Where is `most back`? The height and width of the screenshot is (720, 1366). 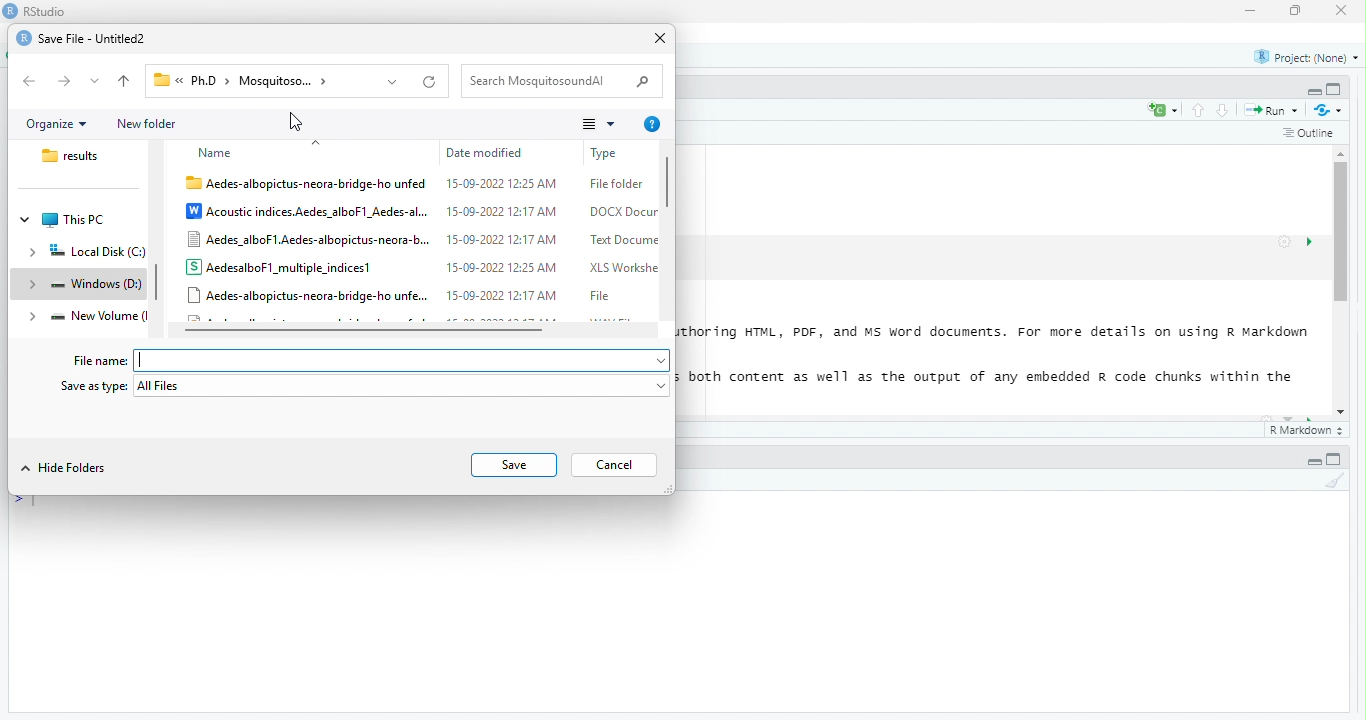
most back is located at coordinates (126, 82).